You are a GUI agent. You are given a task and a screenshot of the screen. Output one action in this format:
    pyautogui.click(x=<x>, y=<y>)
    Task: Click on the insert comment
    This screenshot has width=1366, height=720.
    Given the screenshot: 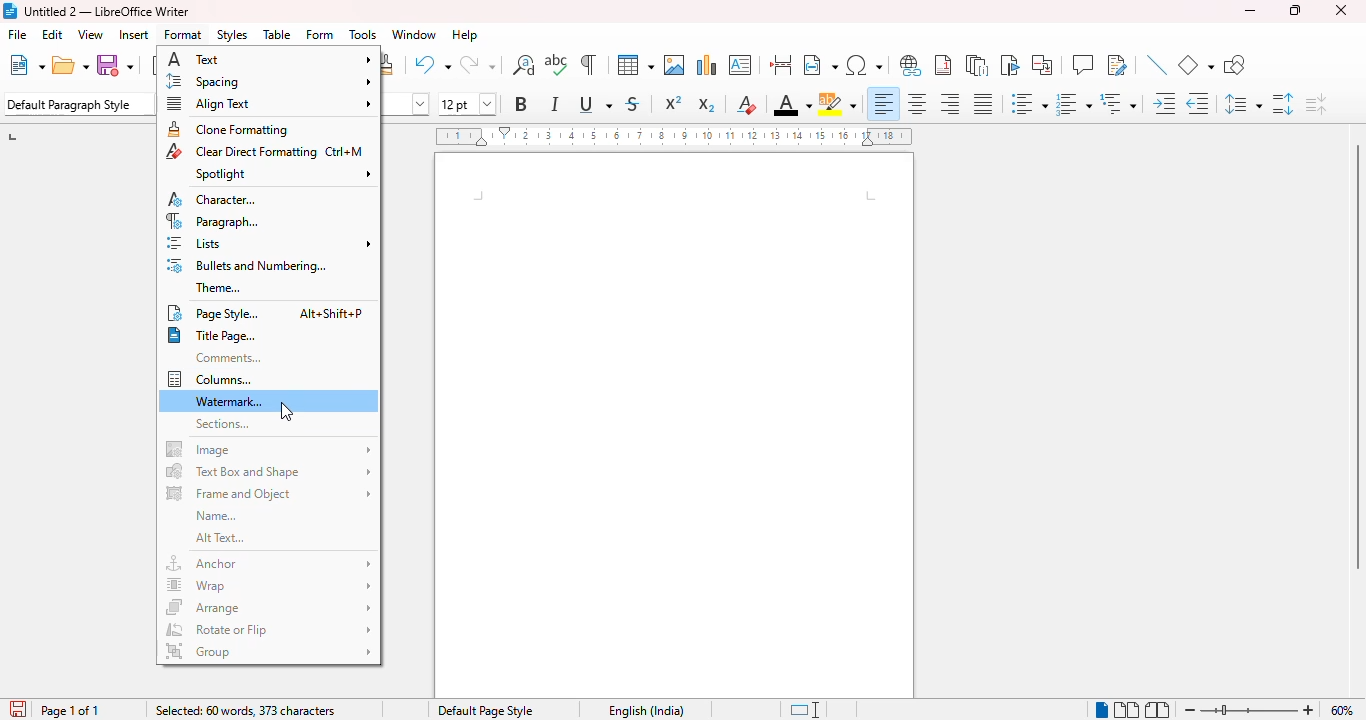 What is the action you would take?
    pyautogui.click(x=1083, y=64)
    